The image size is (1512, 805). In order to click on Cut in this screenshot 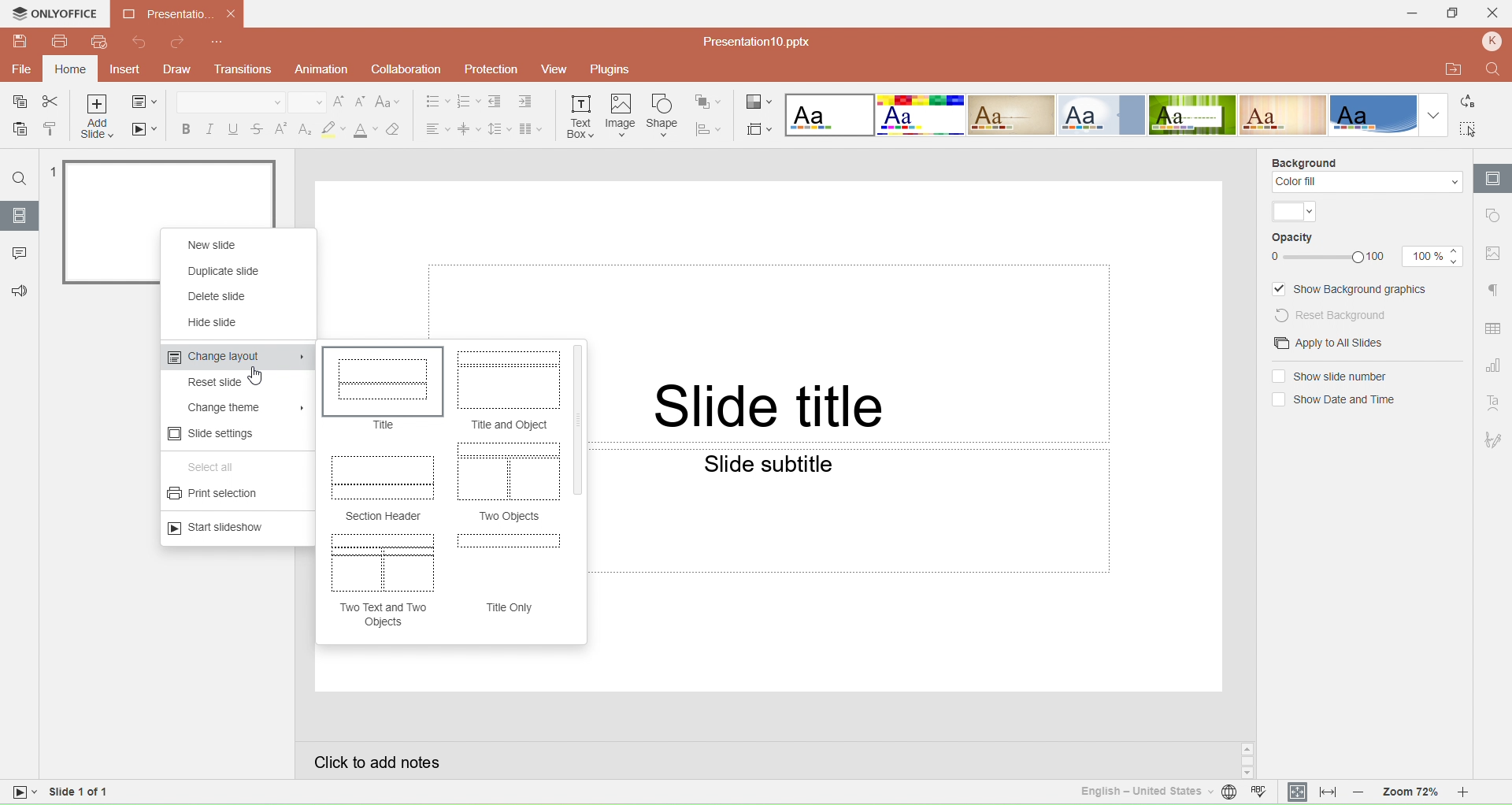, I will do `click(51, 102)`.